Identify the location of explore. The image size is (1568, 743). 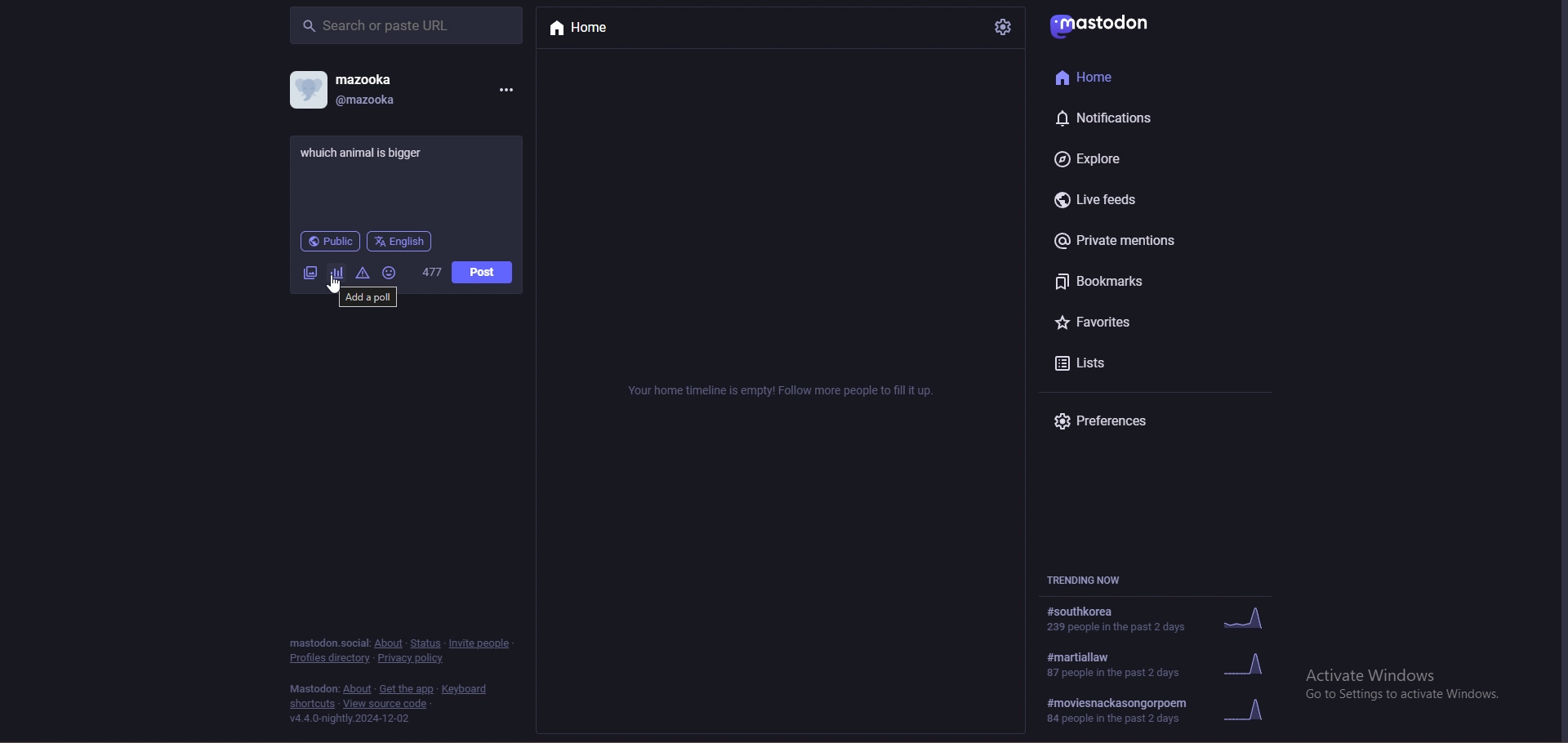
(1111, 158).